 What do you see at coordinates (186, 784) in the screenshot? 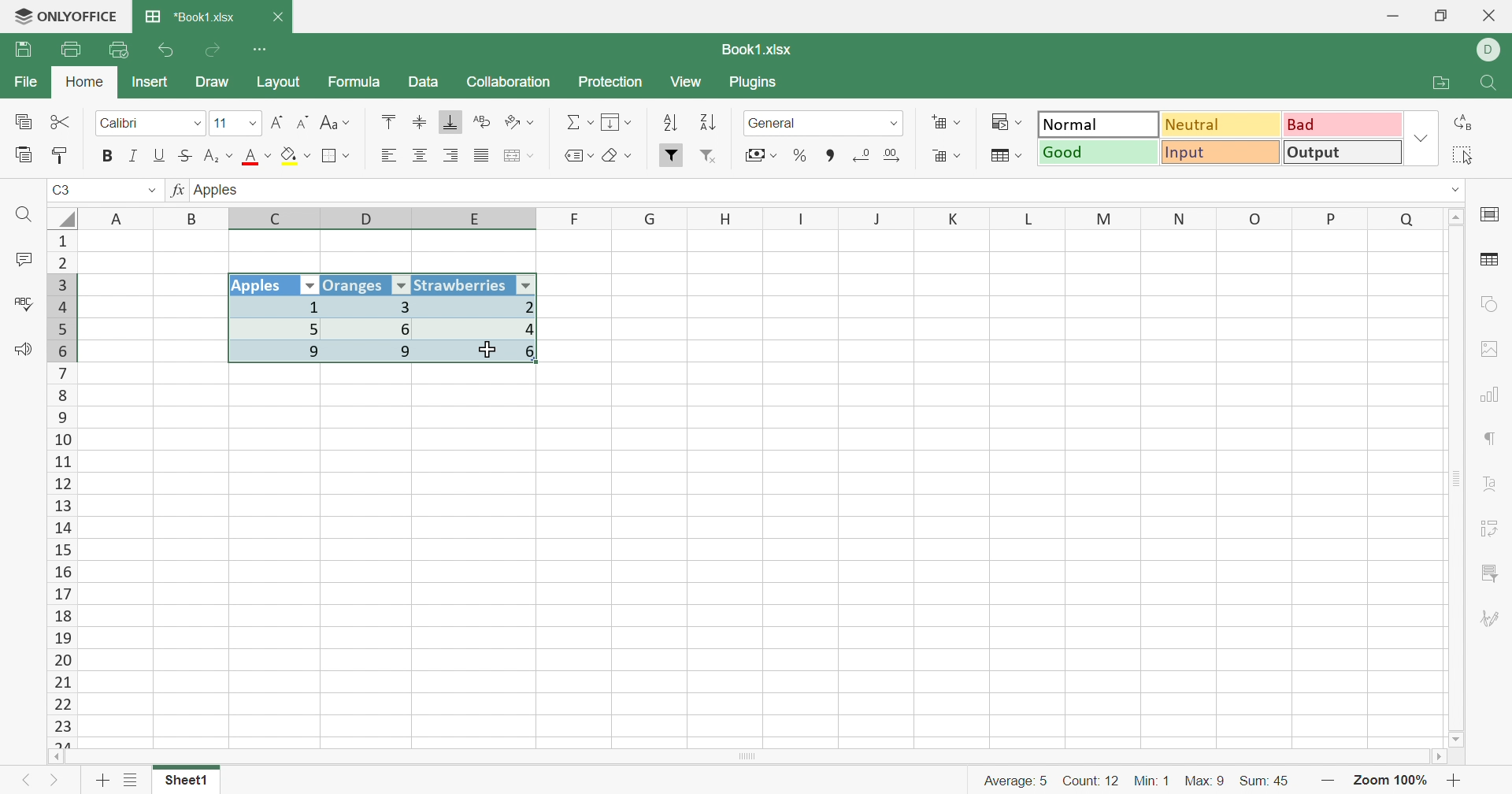
I see `Sheet1` at bounding box center [186, 784].